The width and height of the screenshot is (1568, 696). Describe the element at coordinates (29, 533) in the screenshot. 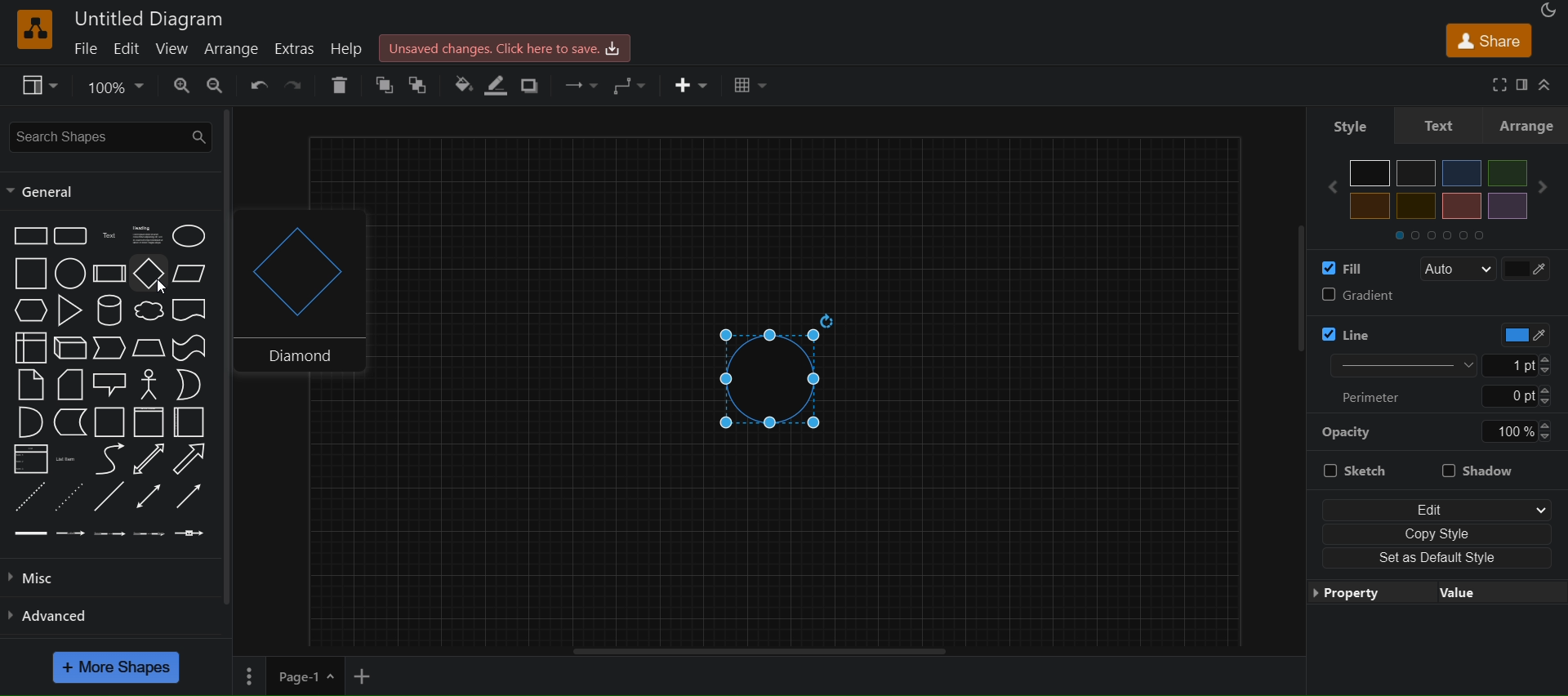

I see `connector 1` at that location.